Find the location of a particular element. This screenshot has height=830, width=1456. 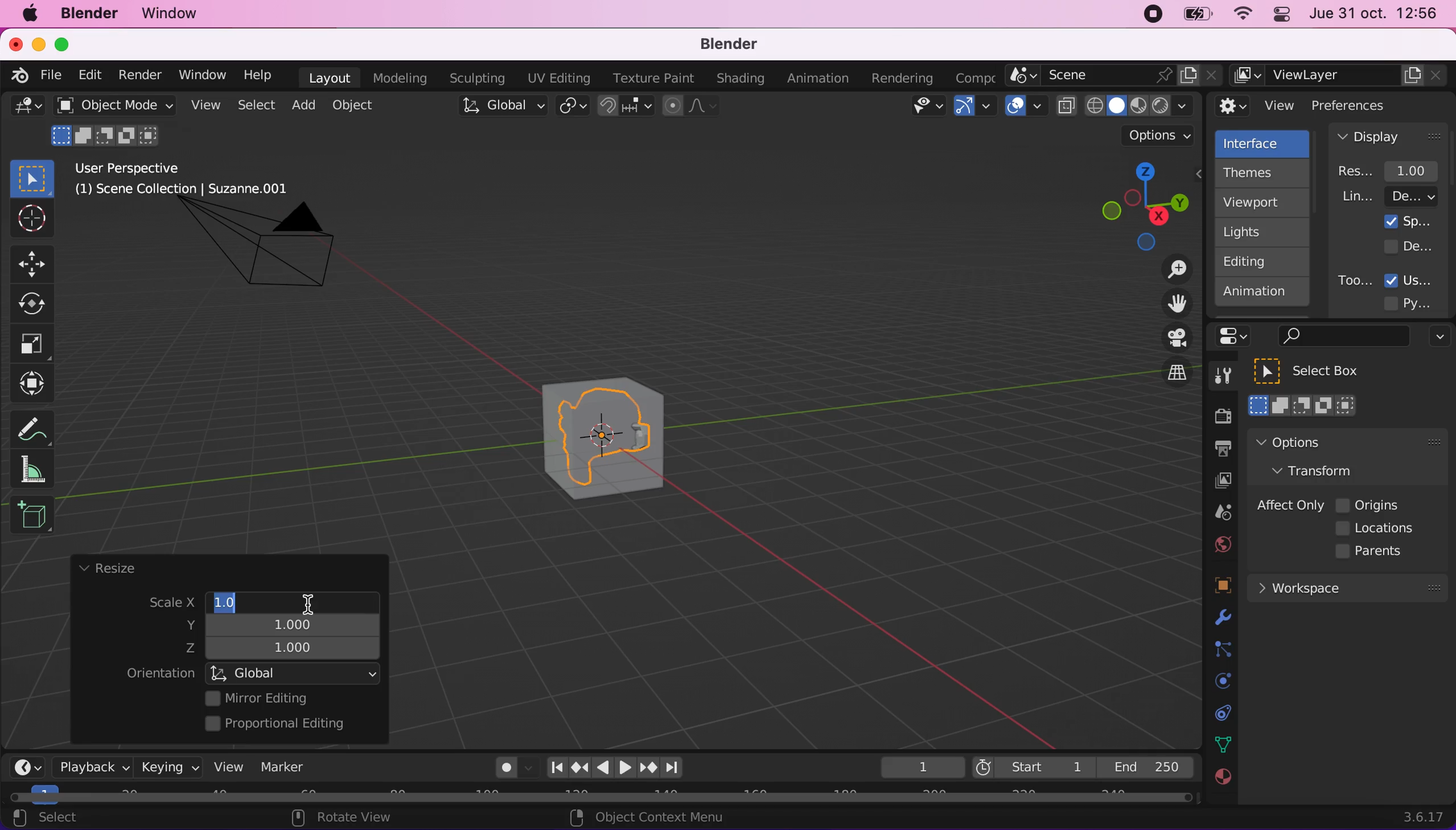

playback is located at coordinates (89, 766).